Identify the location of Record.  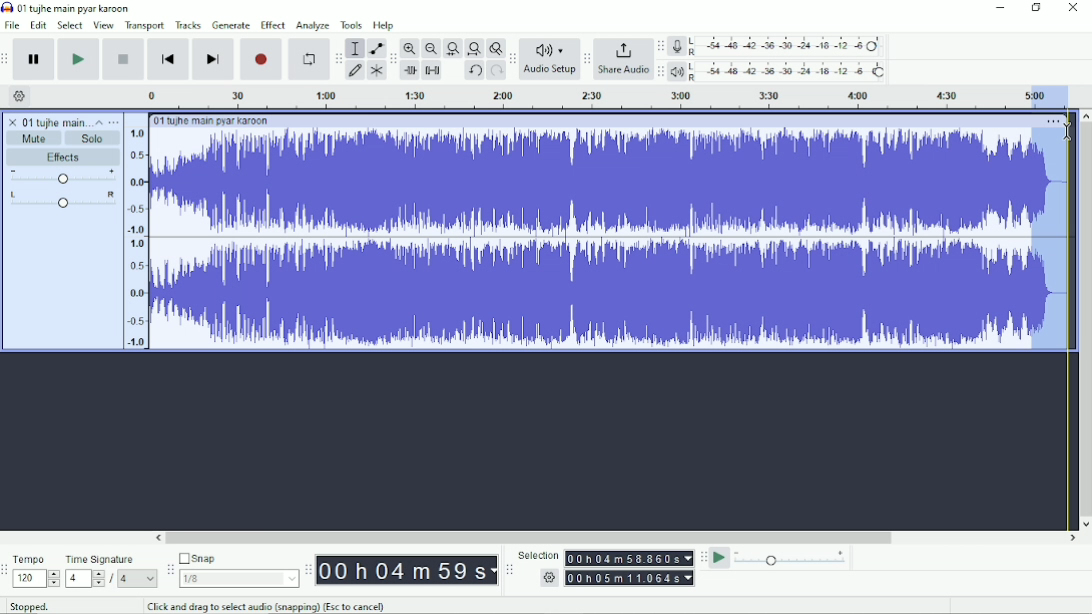
(262, 60).